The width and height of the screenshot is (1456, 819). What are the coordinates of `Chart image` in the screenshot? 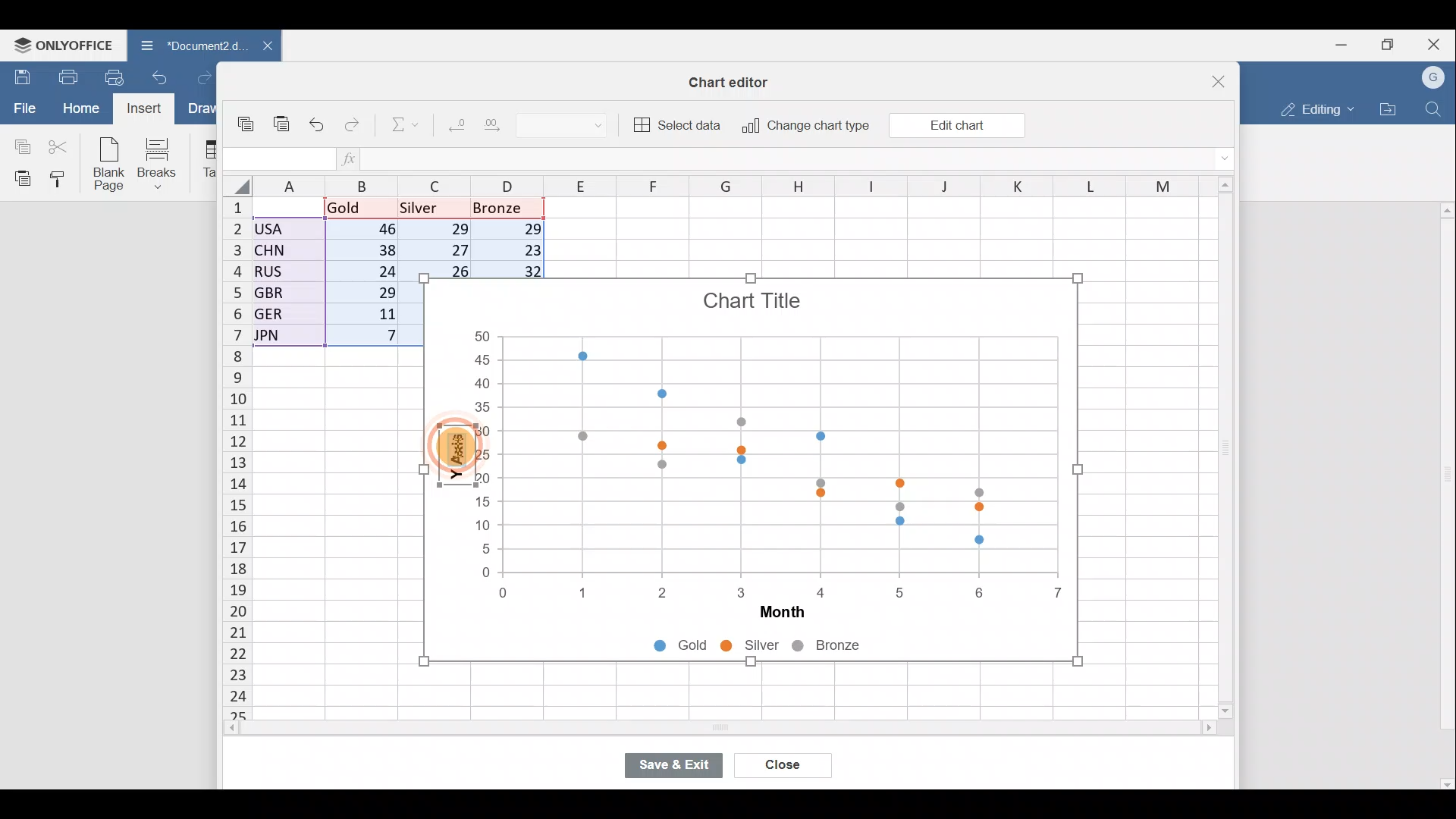 It's located at (766, 437).